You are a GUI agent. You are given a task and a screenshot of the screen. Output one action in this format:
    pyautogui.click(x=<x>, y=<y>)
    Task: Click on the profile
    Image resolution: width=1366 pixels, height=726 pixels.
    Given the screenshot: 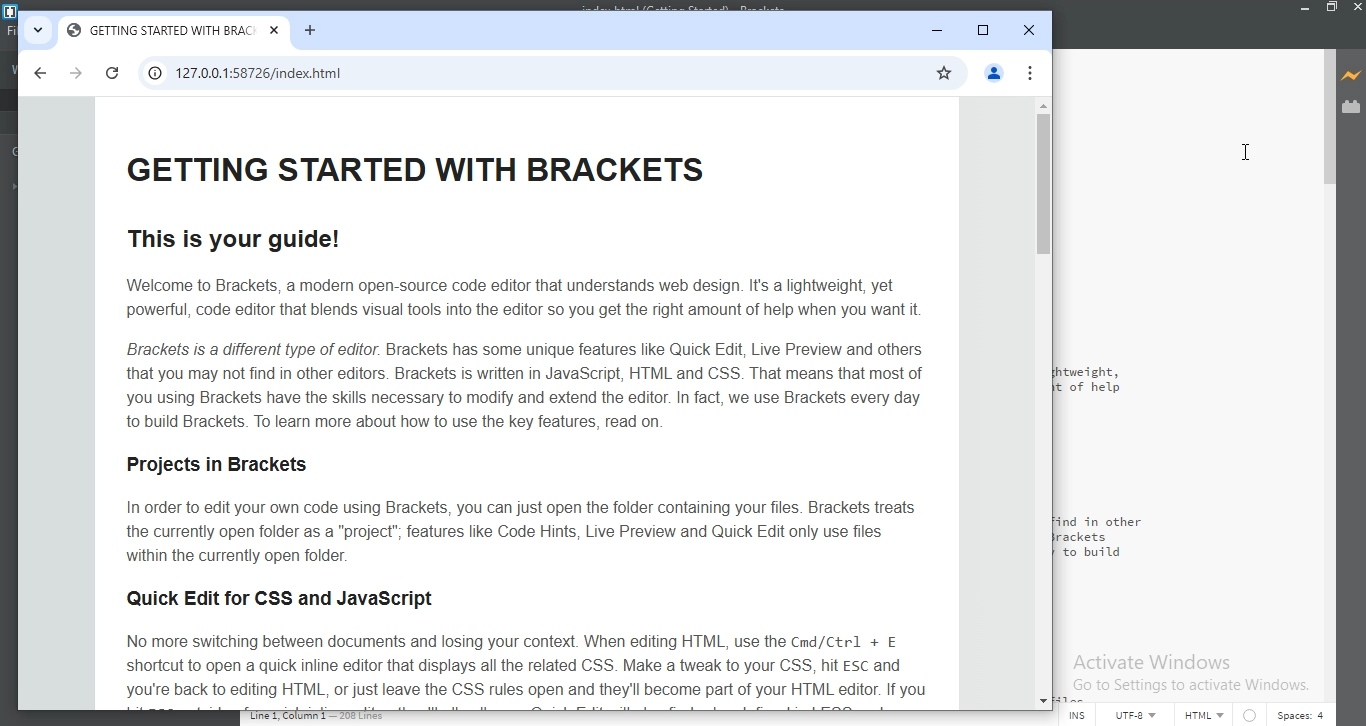 What is the action you would take?
    pyautogui.click(x=992, y=75)
    